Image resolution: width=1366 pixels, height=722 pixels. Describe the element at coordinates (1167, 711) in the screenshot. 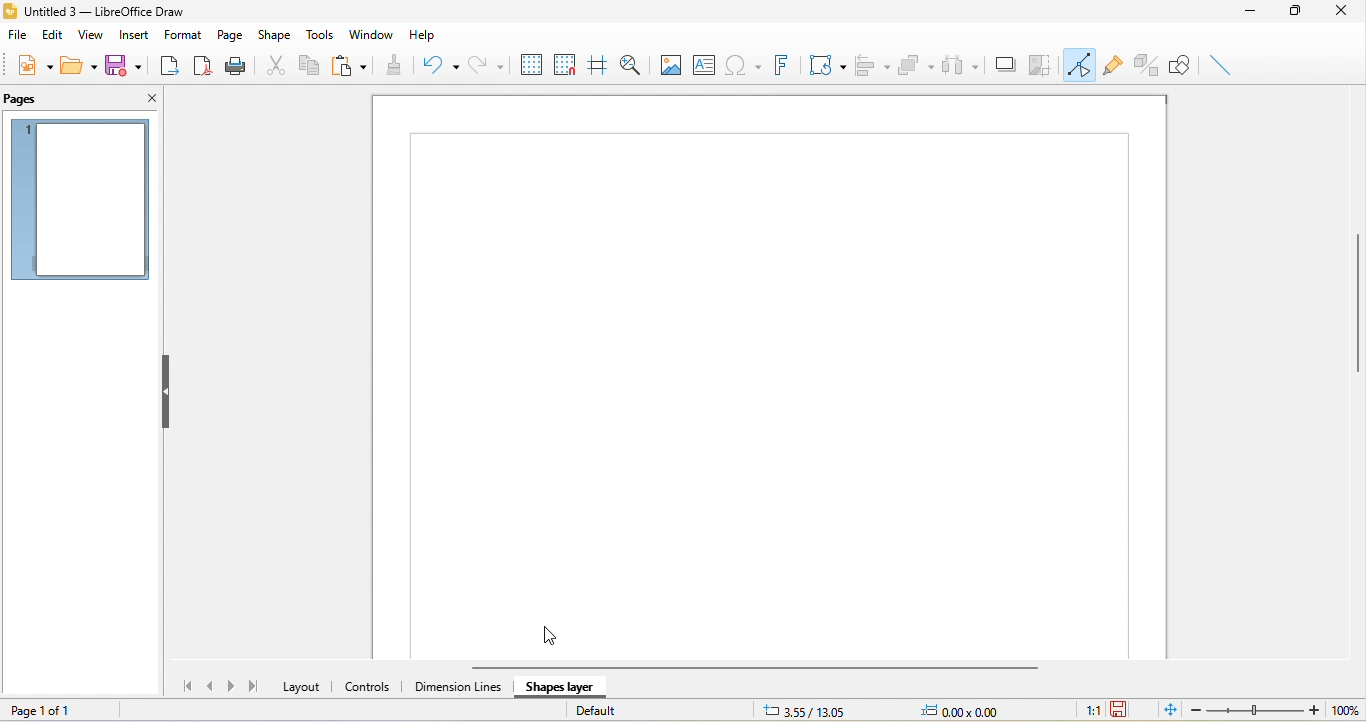

I see `fit page to current window` at that location.